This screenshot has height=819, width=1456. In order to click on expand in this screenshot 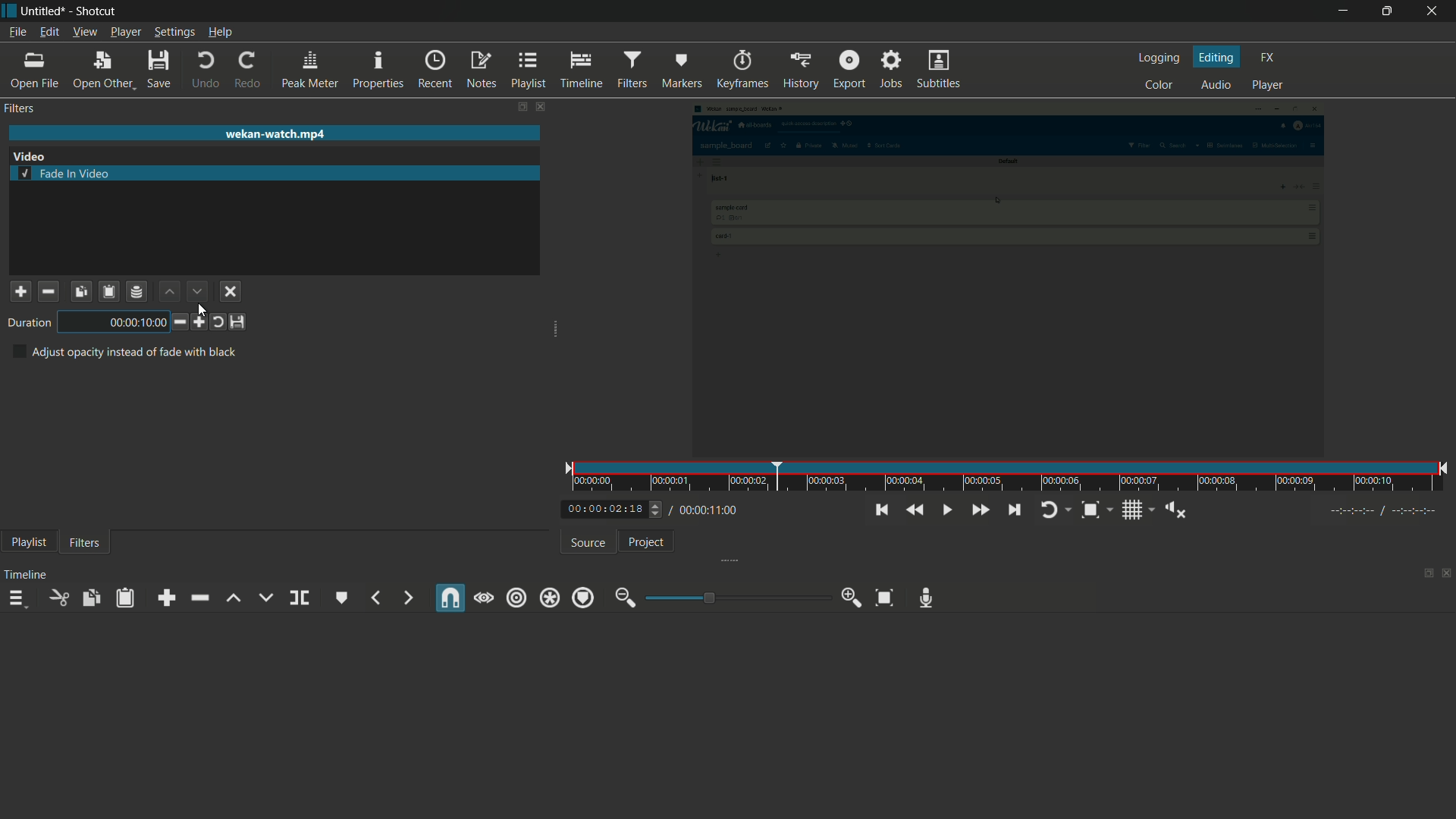, I will do `click(736, 559)`.